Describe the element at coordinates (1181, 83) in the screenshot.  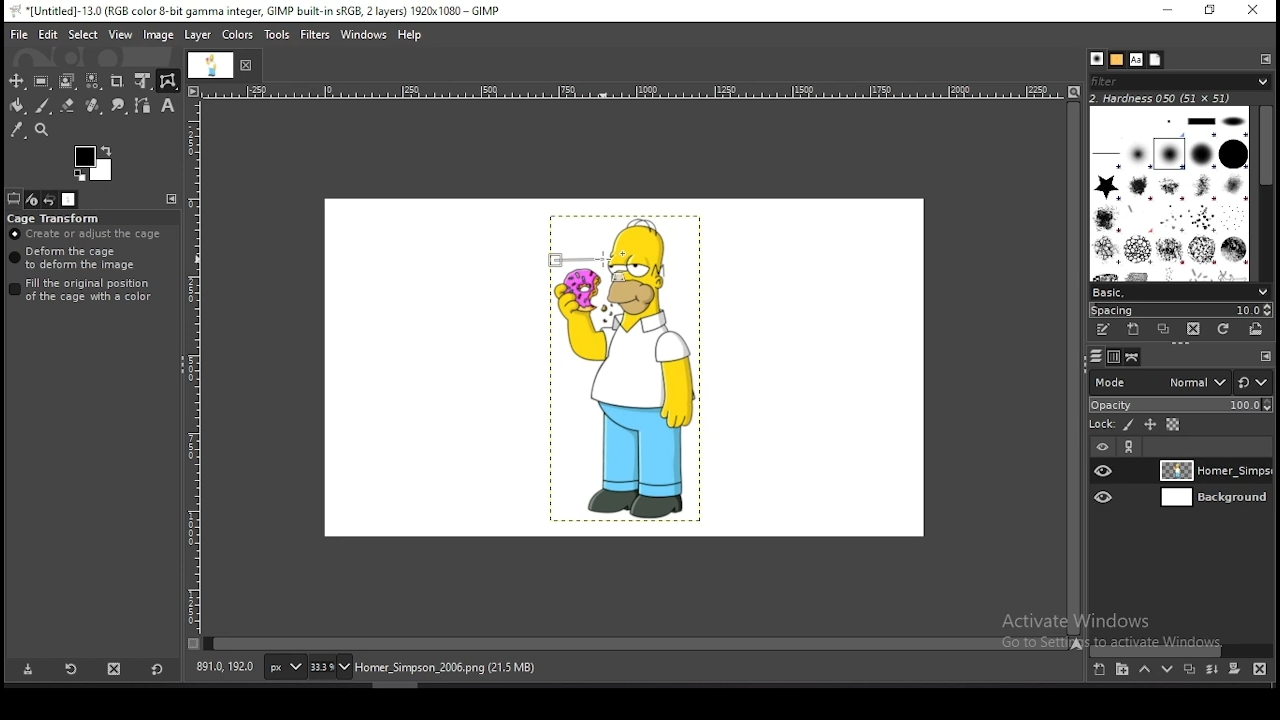
I see `filter brushes` at that location.